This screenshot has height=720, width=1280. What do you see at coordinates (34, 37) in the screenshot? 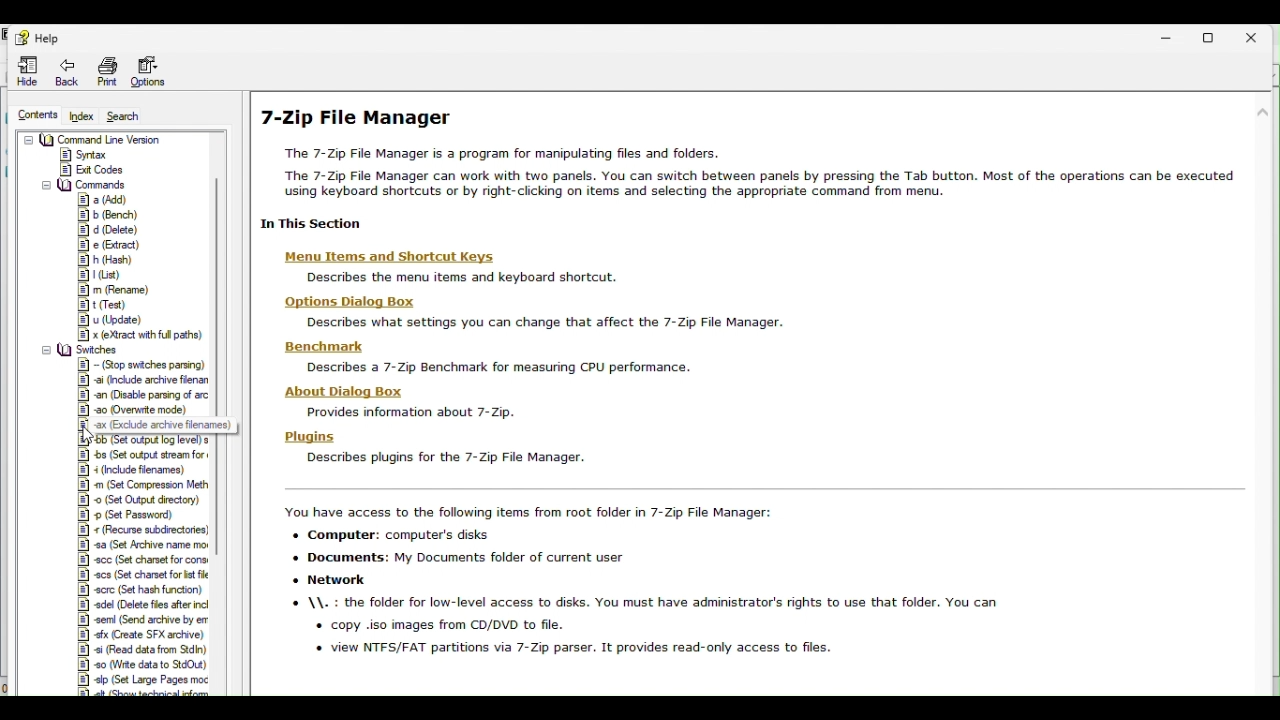
I see `Help ` at bounding box center [34, 37].